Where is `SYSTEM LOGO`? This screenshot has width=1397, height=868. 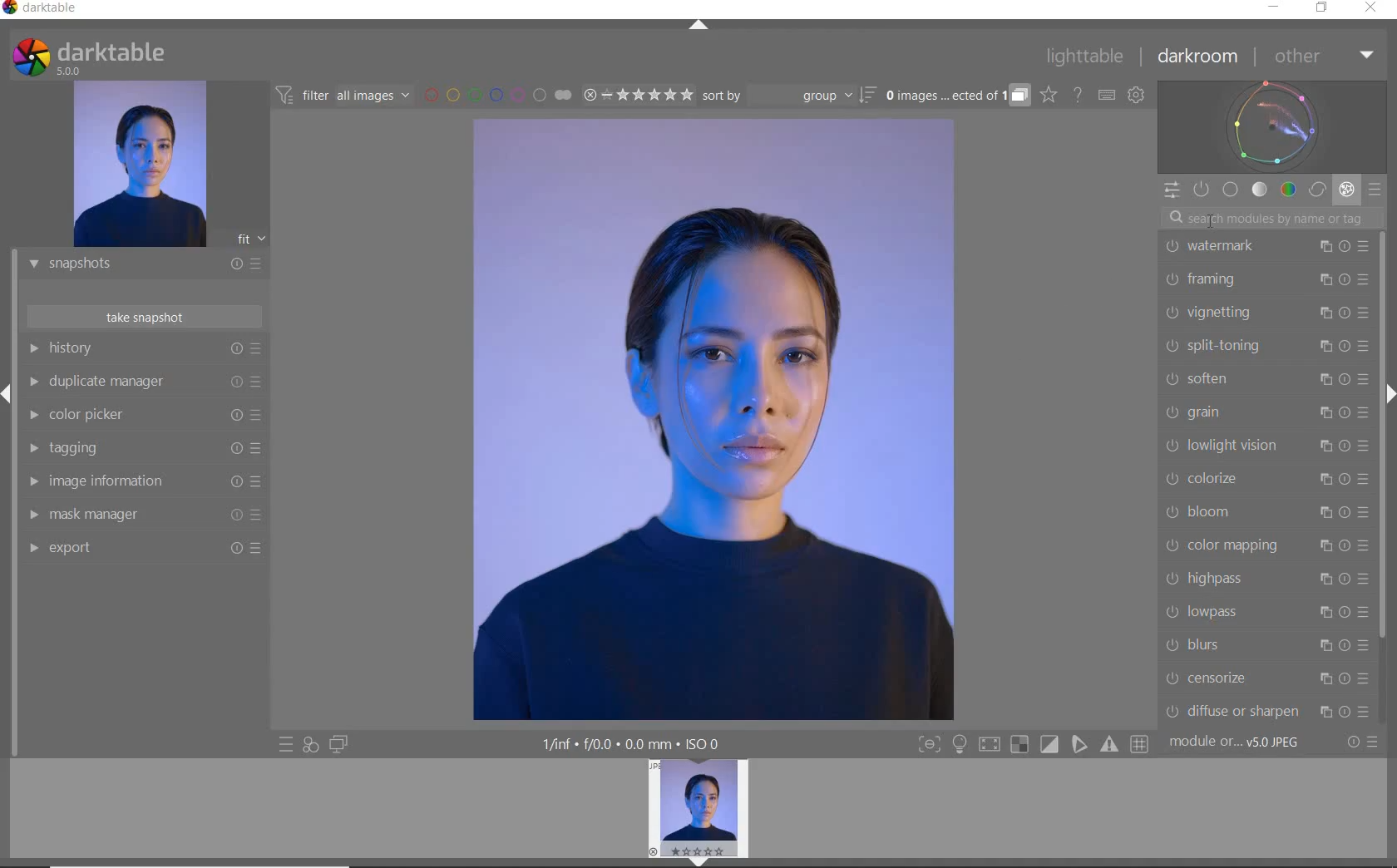 SYSTEM LOGO is located at coordinates (88, 57).